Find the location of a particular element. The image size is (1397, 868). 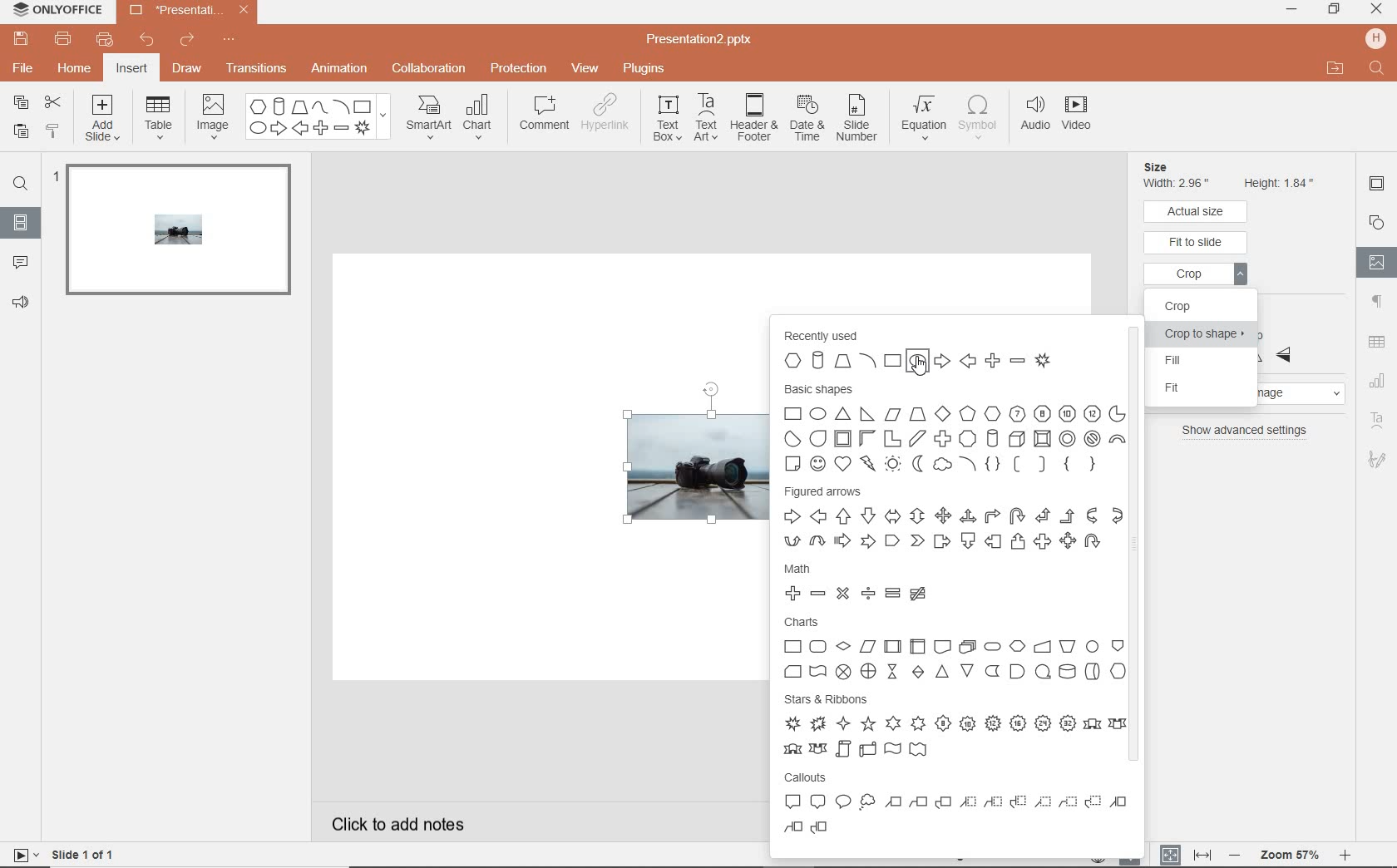

text box is located at coordinates (667, 121).